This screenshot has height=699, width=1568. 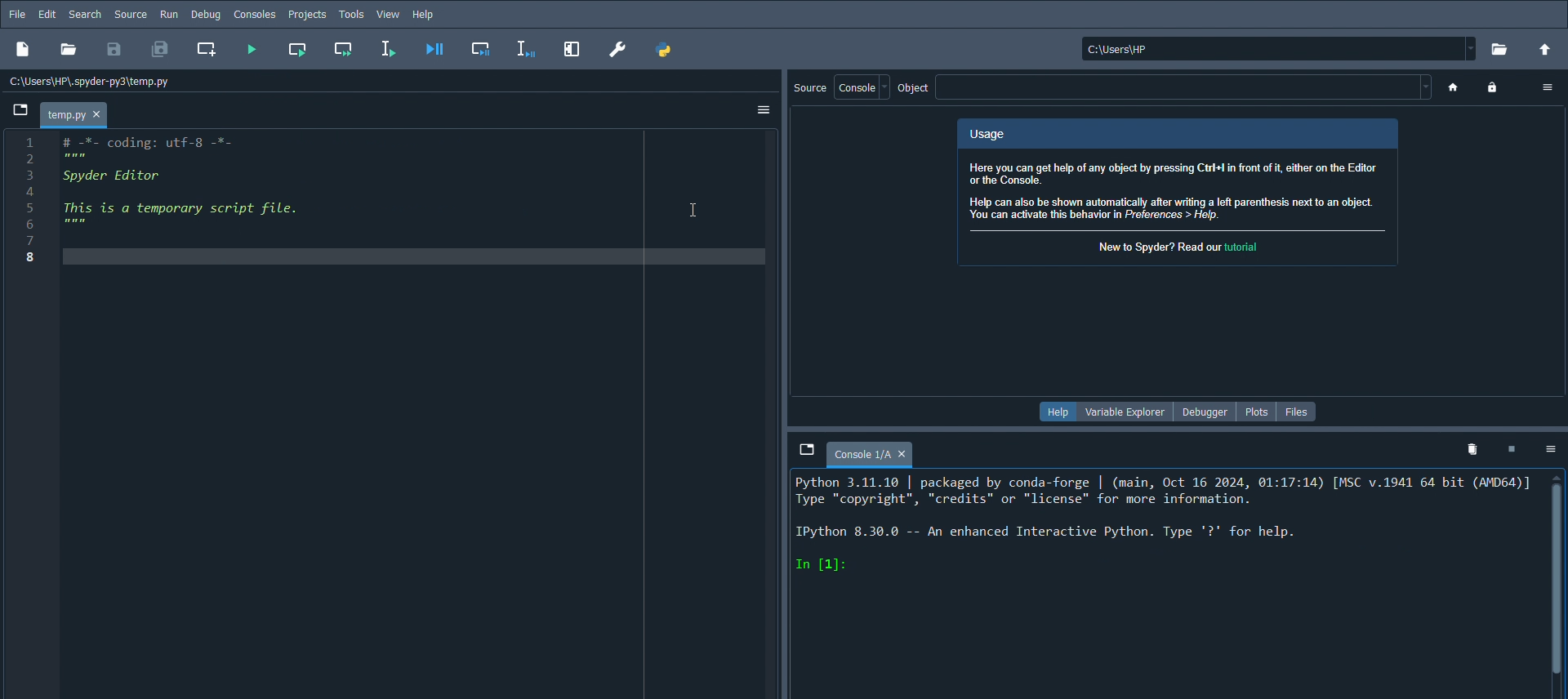 I want to click on Run current cell and go to the next one, so click(x=342, y=48).